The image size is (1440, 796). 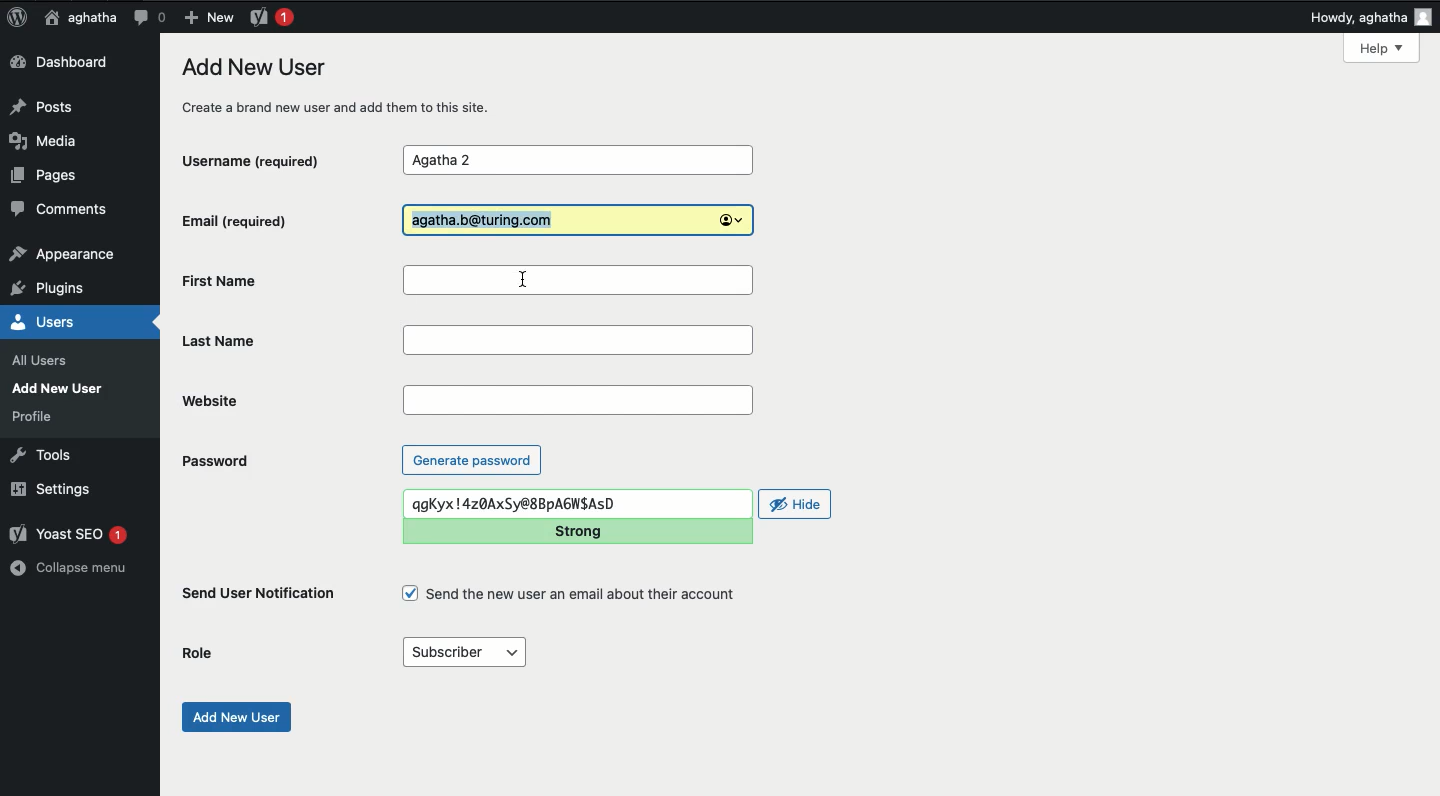 I want to click on Send user notification , so click(x=260, y=597).